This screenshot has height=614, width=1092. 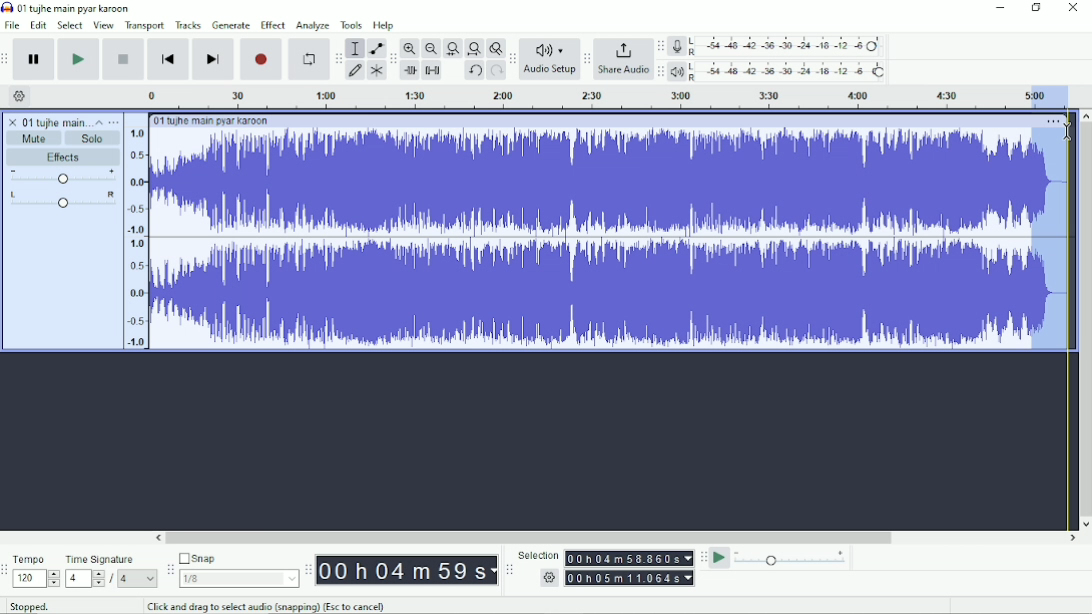 I want to click on 01 tujhe main pyar karoon, so click(x=56, y=121).